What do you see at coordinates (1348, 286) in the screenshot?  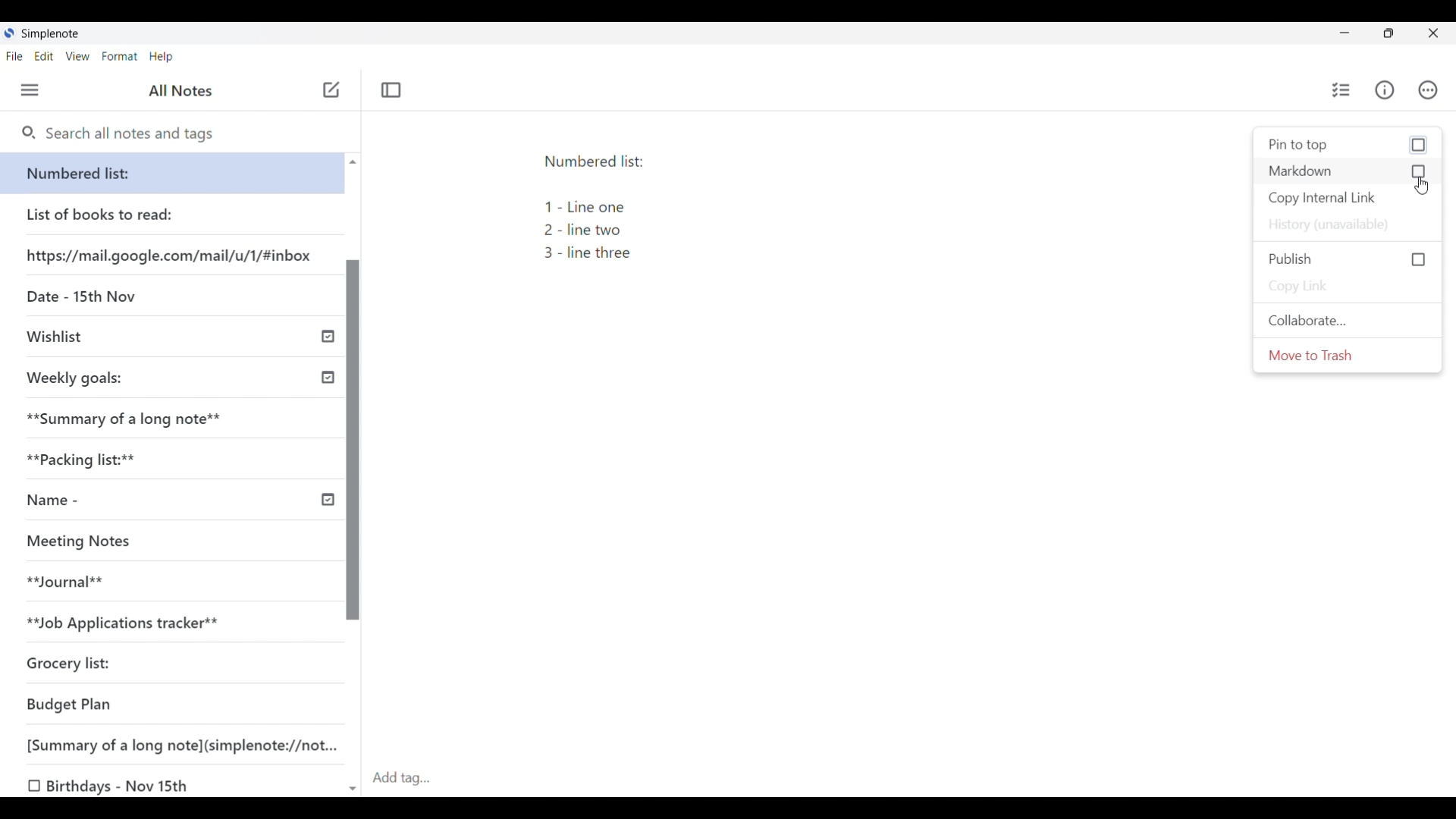 I see `Copy link` at bounding box center [1348, 286].